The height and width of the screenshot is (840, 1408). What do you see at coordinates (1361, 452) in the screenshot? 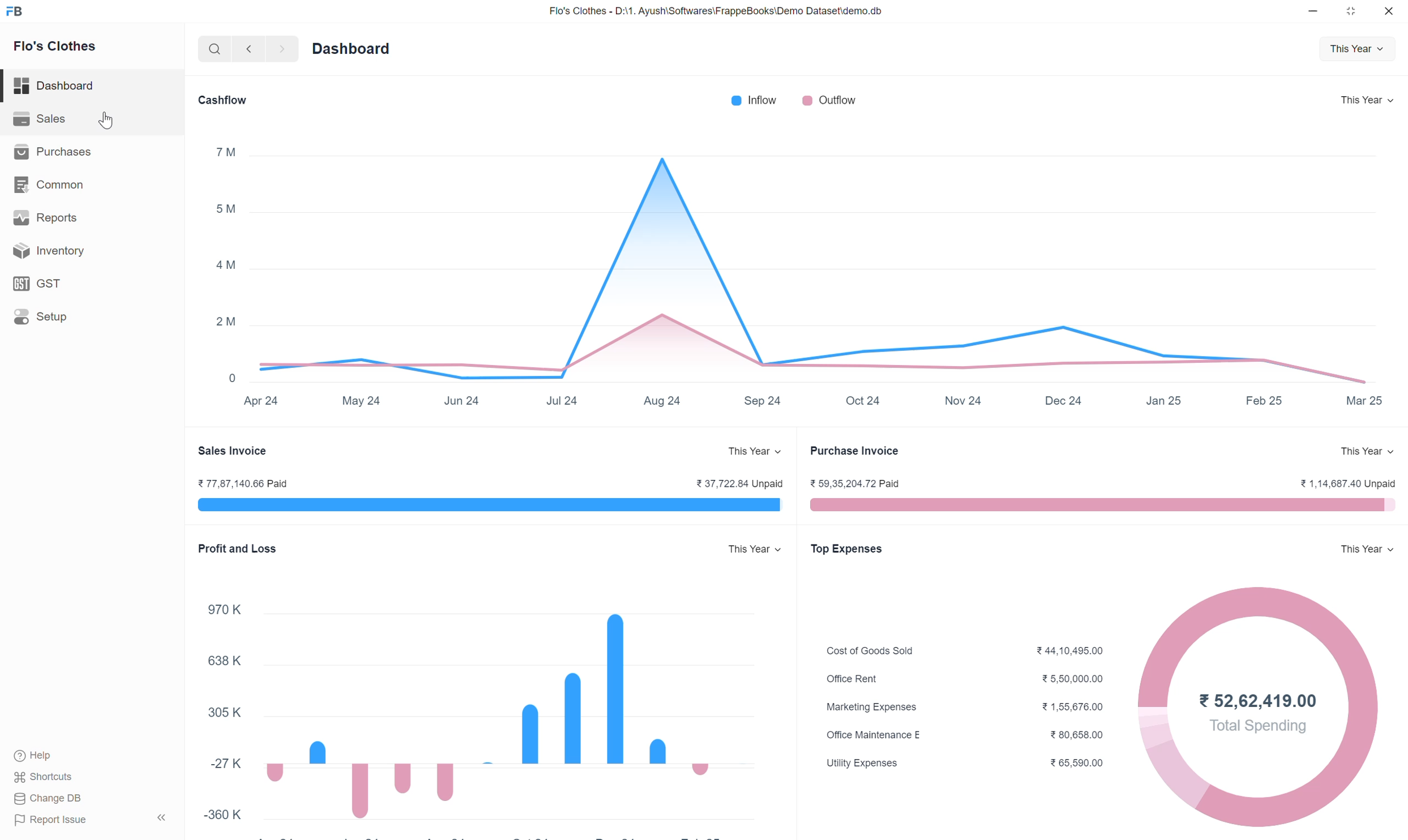
I see `Select Purchase Invoice timeframe` at bounding box center [1361, 452].